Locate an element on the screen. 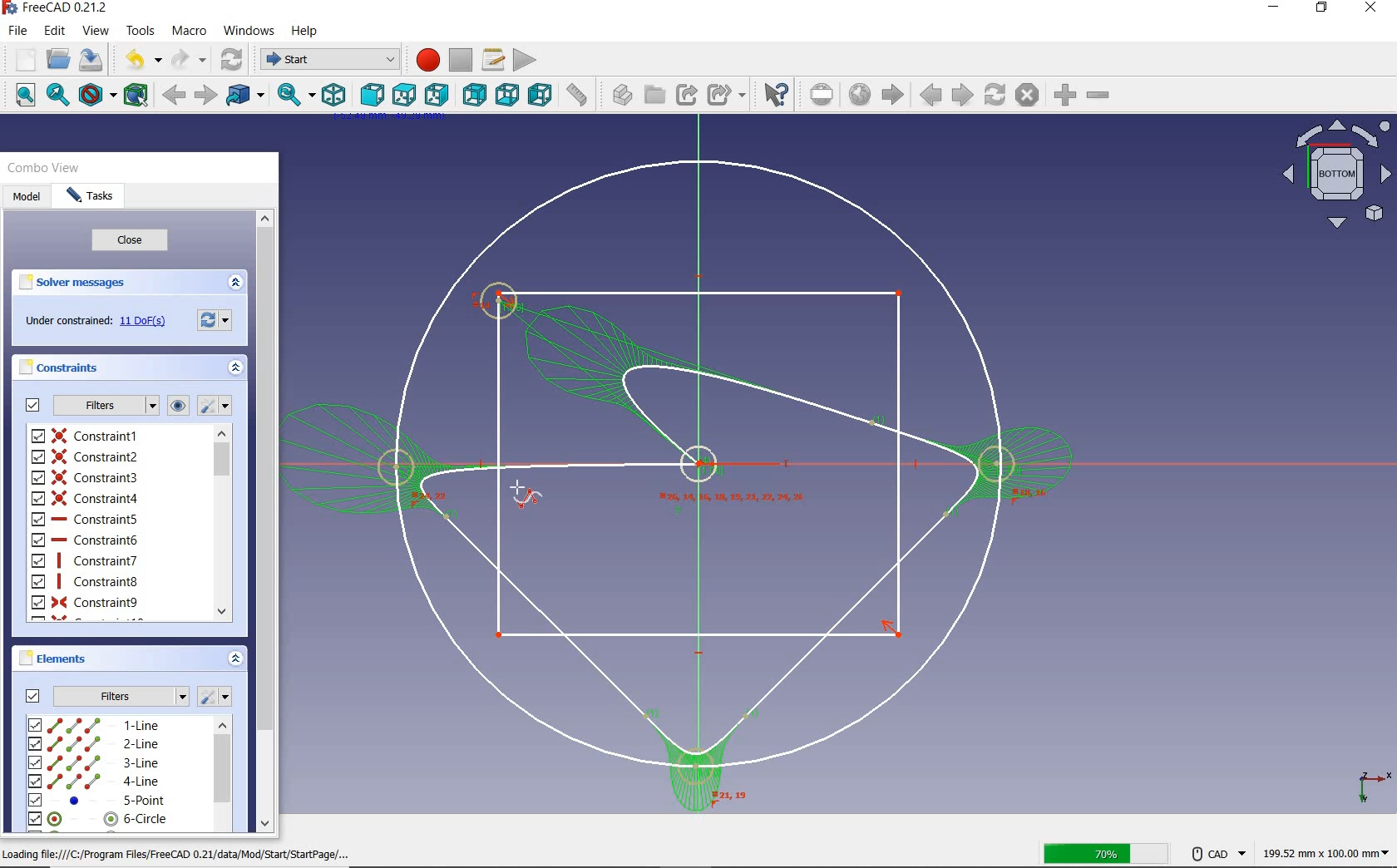 The height and width of the screenshot is (868, 1397). forward is located at coordinates (204, 96).